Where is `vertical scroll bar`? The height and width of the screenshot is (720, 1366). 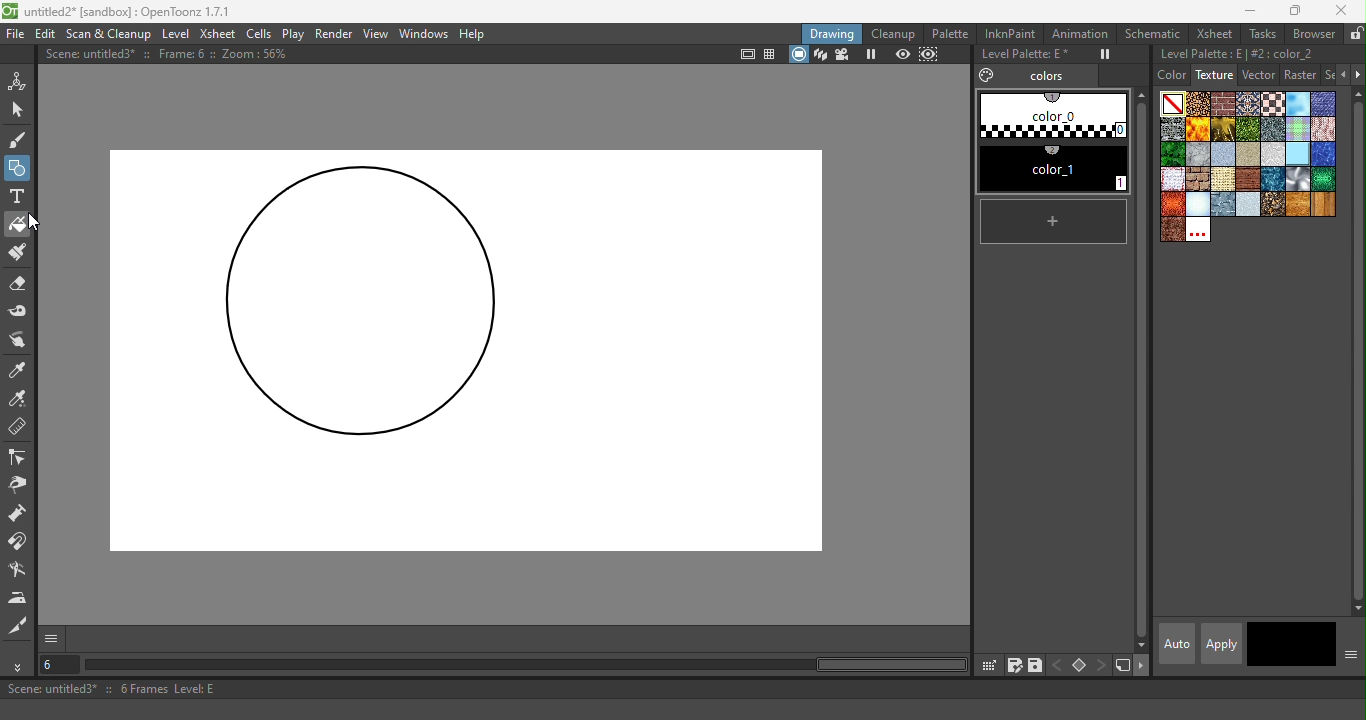
vertical scroll bar is located at coordinates (1358, 350).